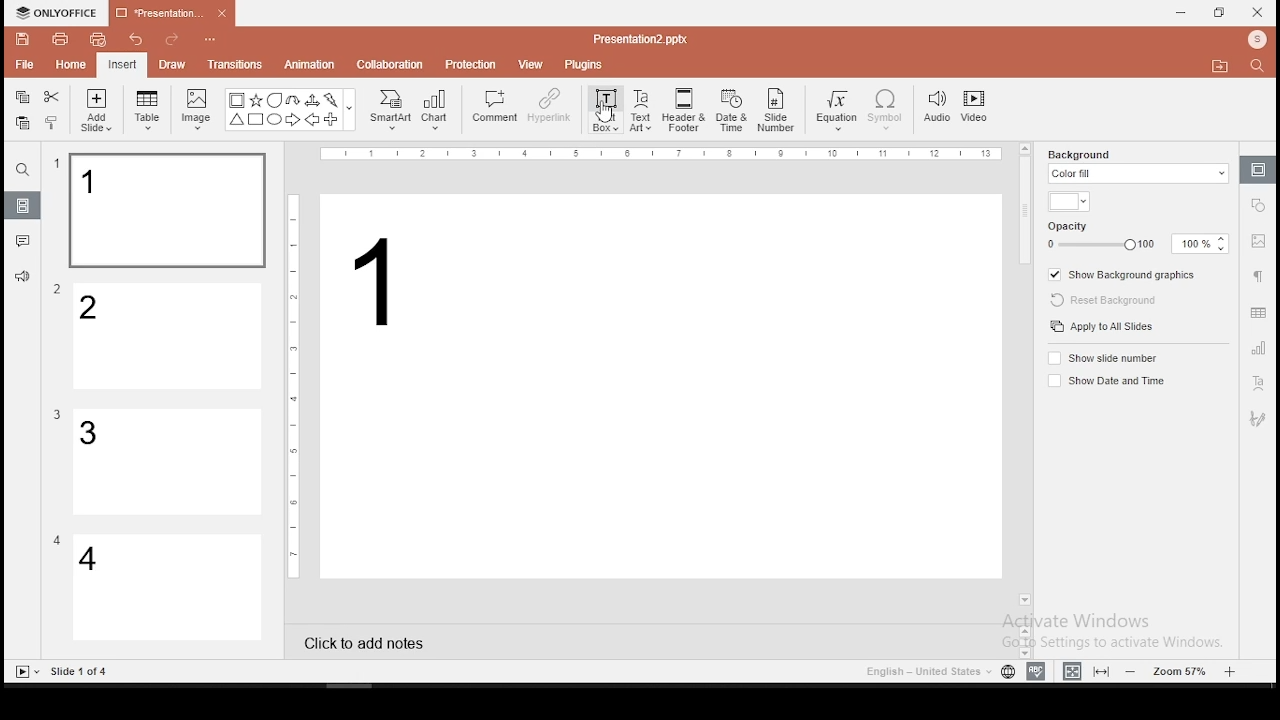 The width and height of the screenshot is (1280, 720). I want to click on show date and time on/off, so click(1105, 380).